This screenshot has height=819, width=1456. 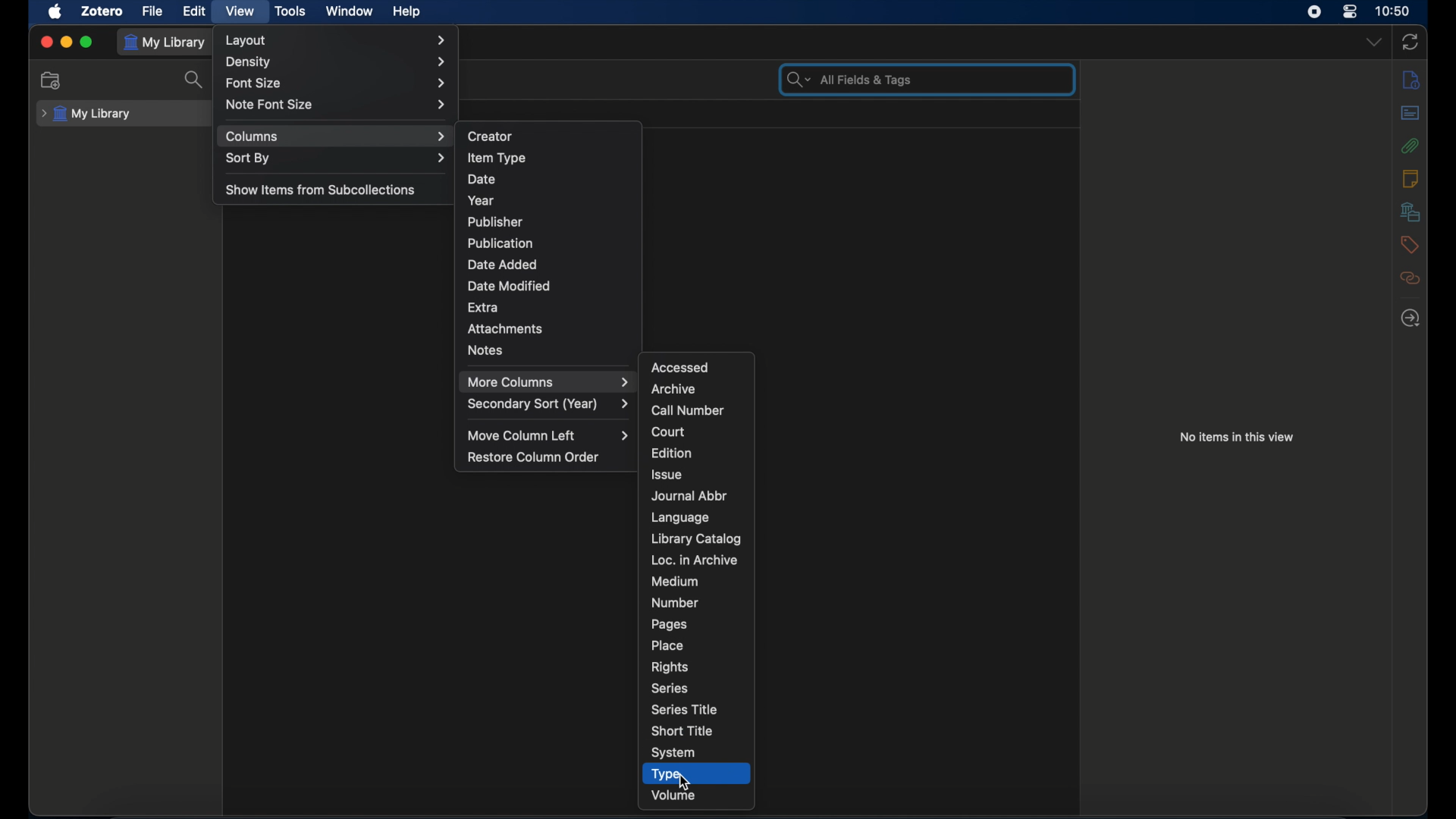 What do you see at coordinates (497, 158) in the screenshot?
I see `item type` at bounding box center [497, 158].